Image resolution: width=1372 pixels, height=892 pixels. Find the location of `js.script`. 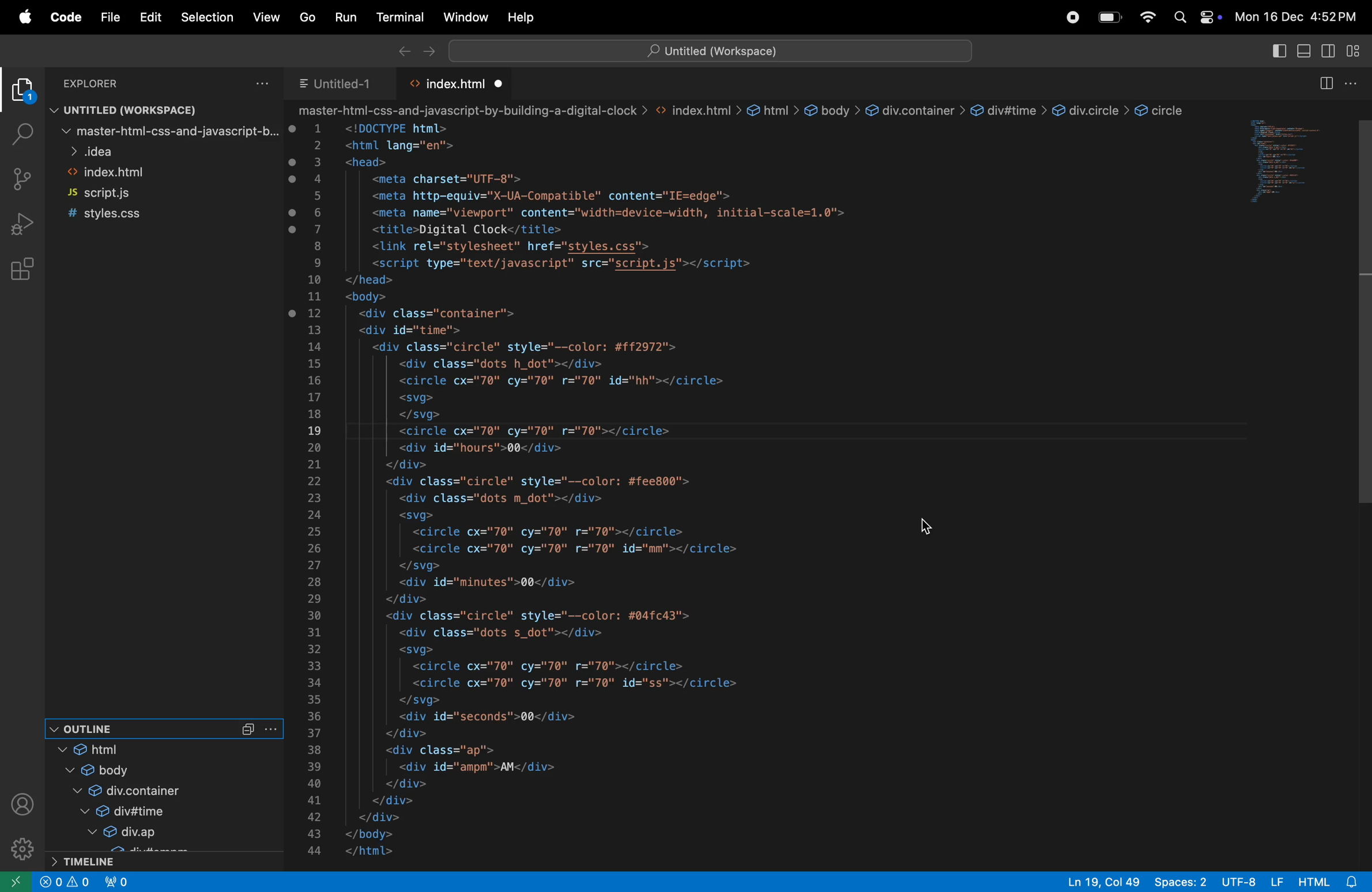

js.script is located at coordinates (126, 192).